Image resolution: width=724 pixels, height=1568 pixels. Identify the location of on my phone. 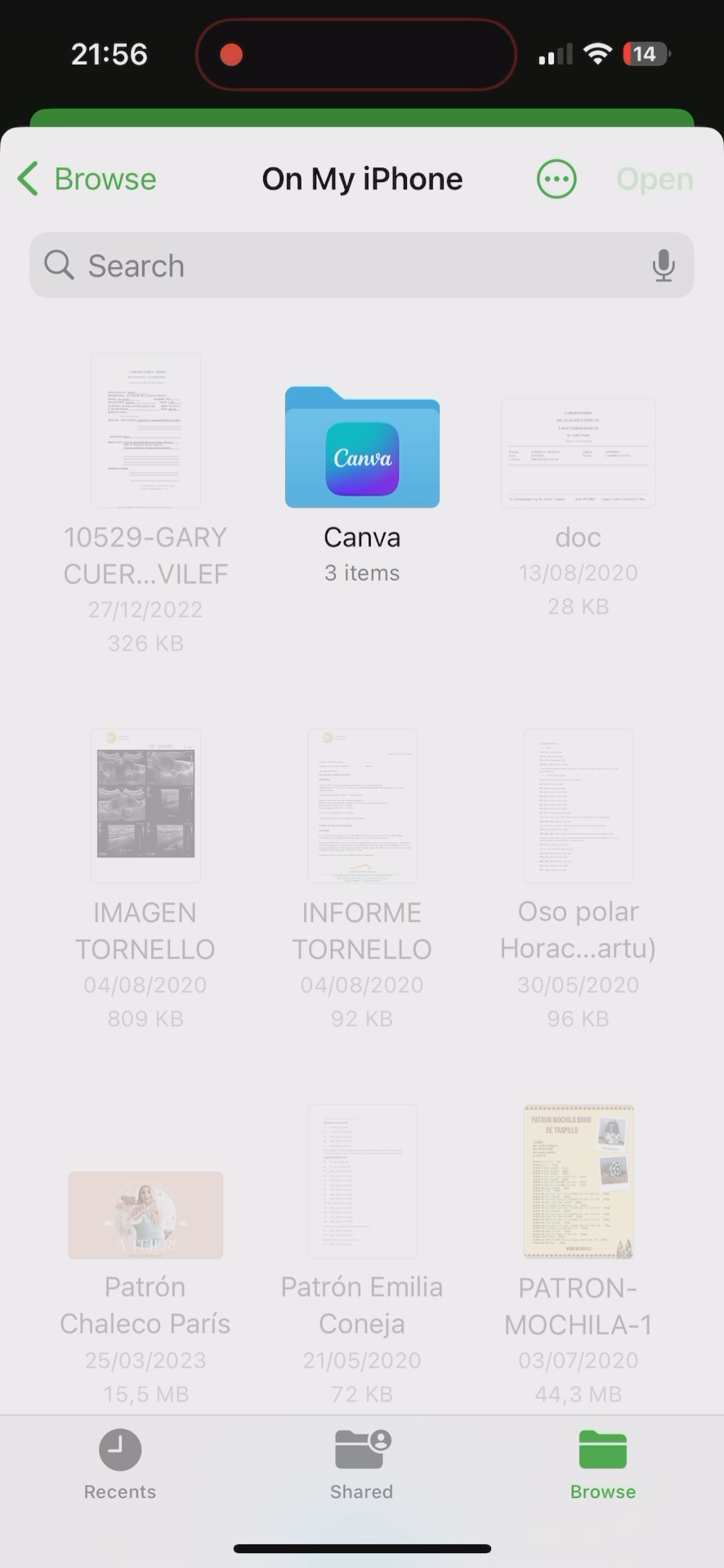
(369, 178).